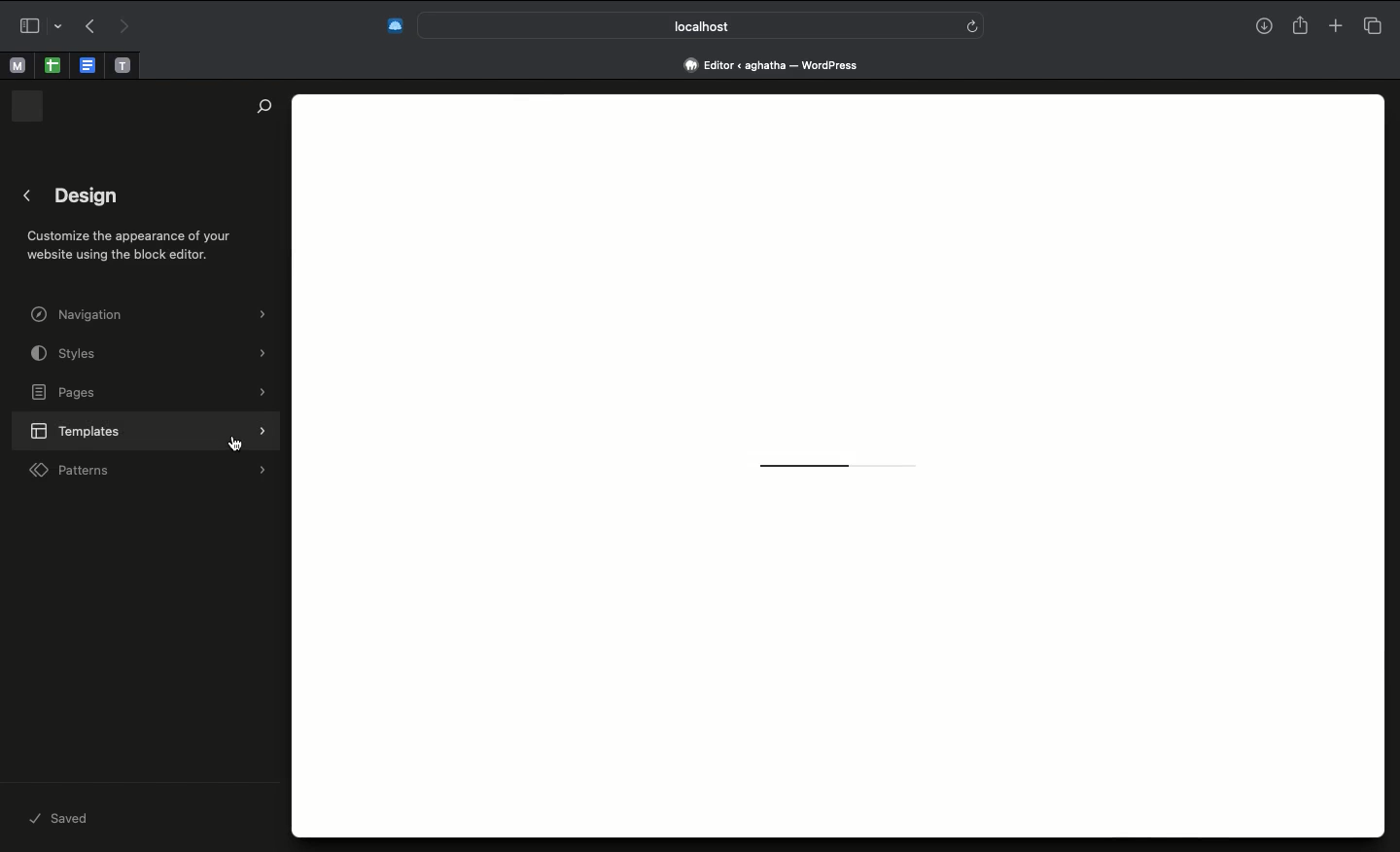 This screenshot has width=1400, height=852. What do you see at coordinates (393, 27) in the screenshot?
I see `Extensions` at bounding box center [393, 27].